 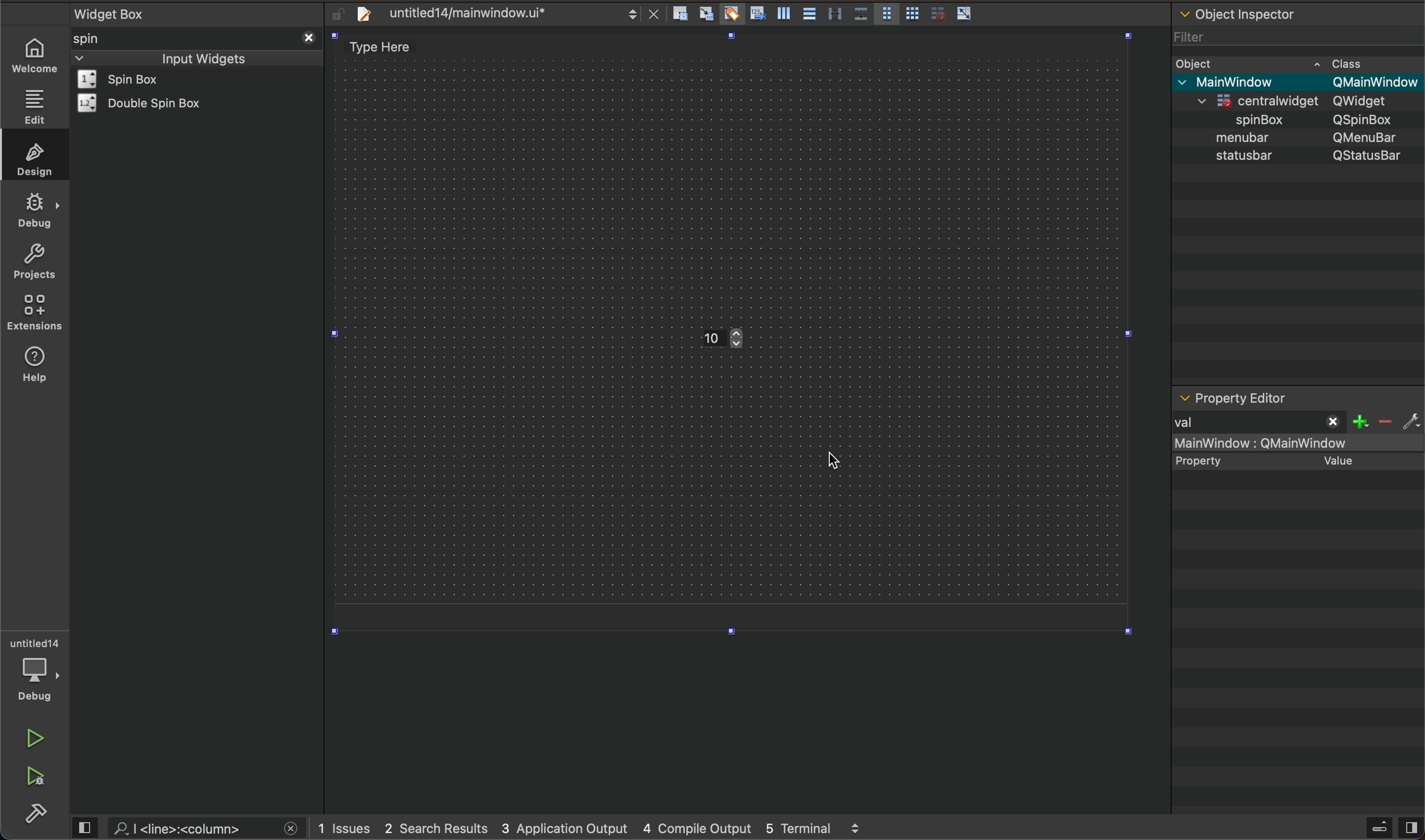 What do you see at coordinates (1248, 118) in the screenshot?
I see `` at bounding box center [1248, 118].